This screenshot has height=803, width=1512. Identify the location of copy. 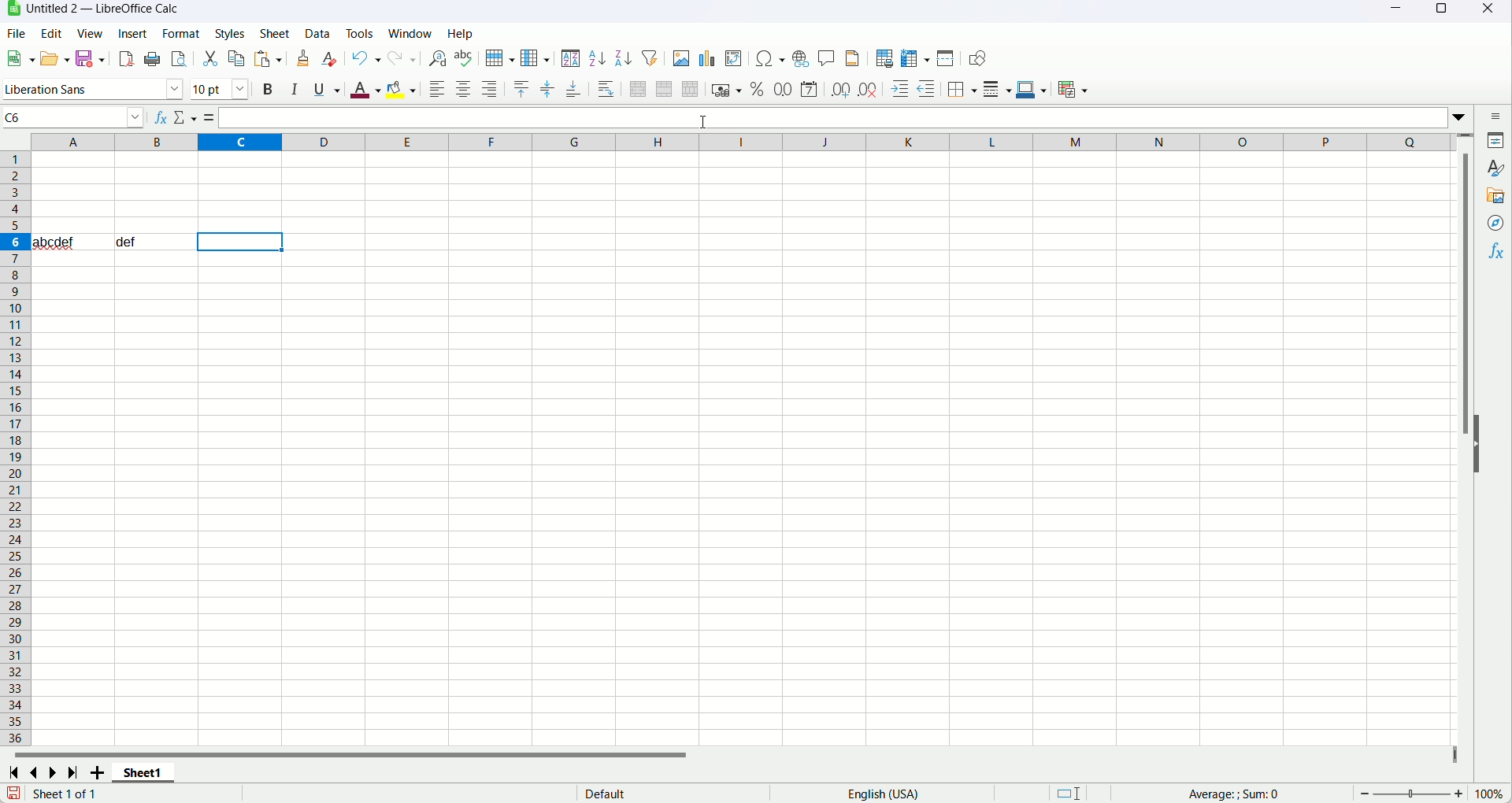
(237, 58).